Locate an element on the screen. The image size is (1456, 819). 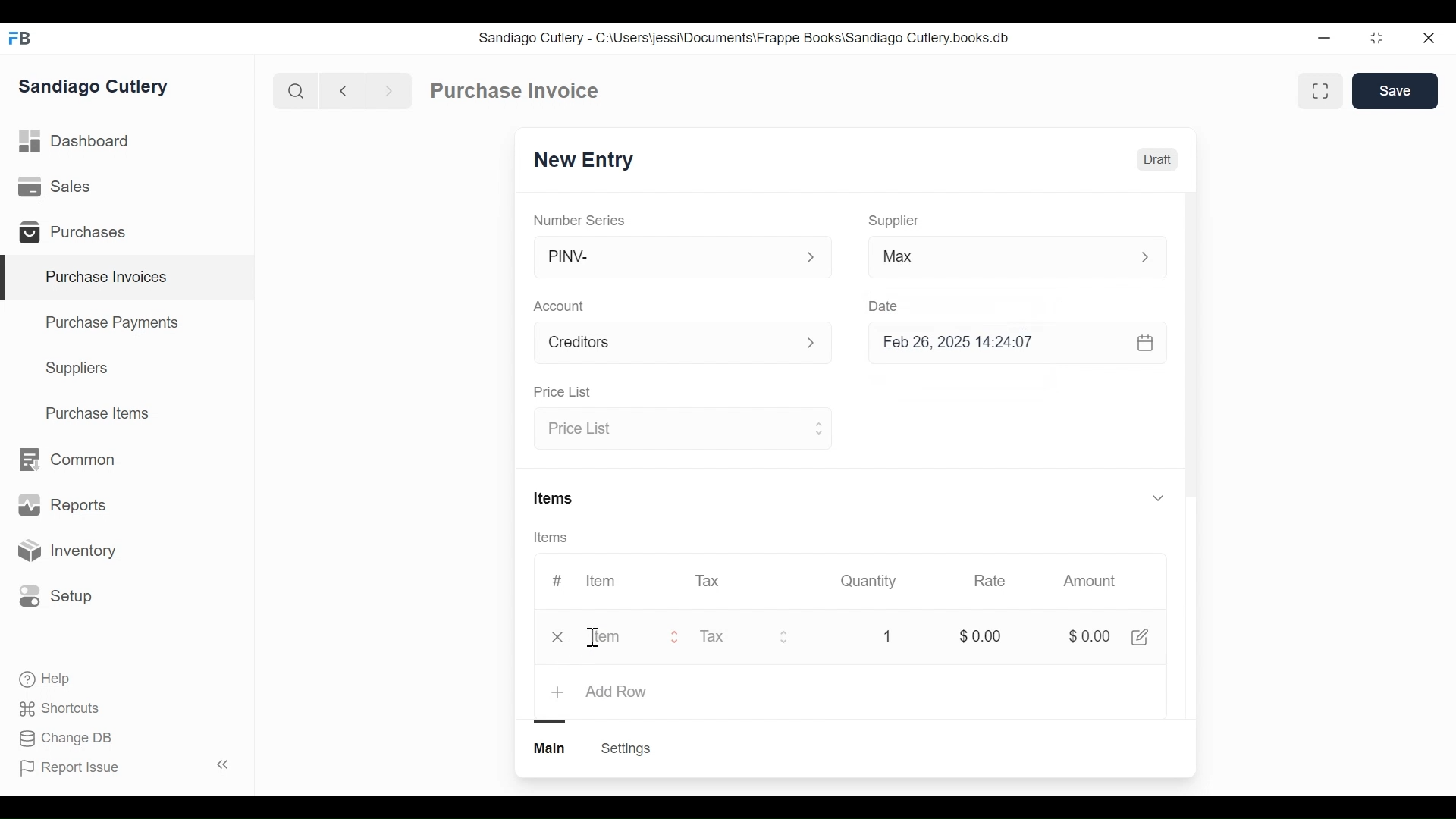
Purchase Invoices is located at coordinates (128, 278).